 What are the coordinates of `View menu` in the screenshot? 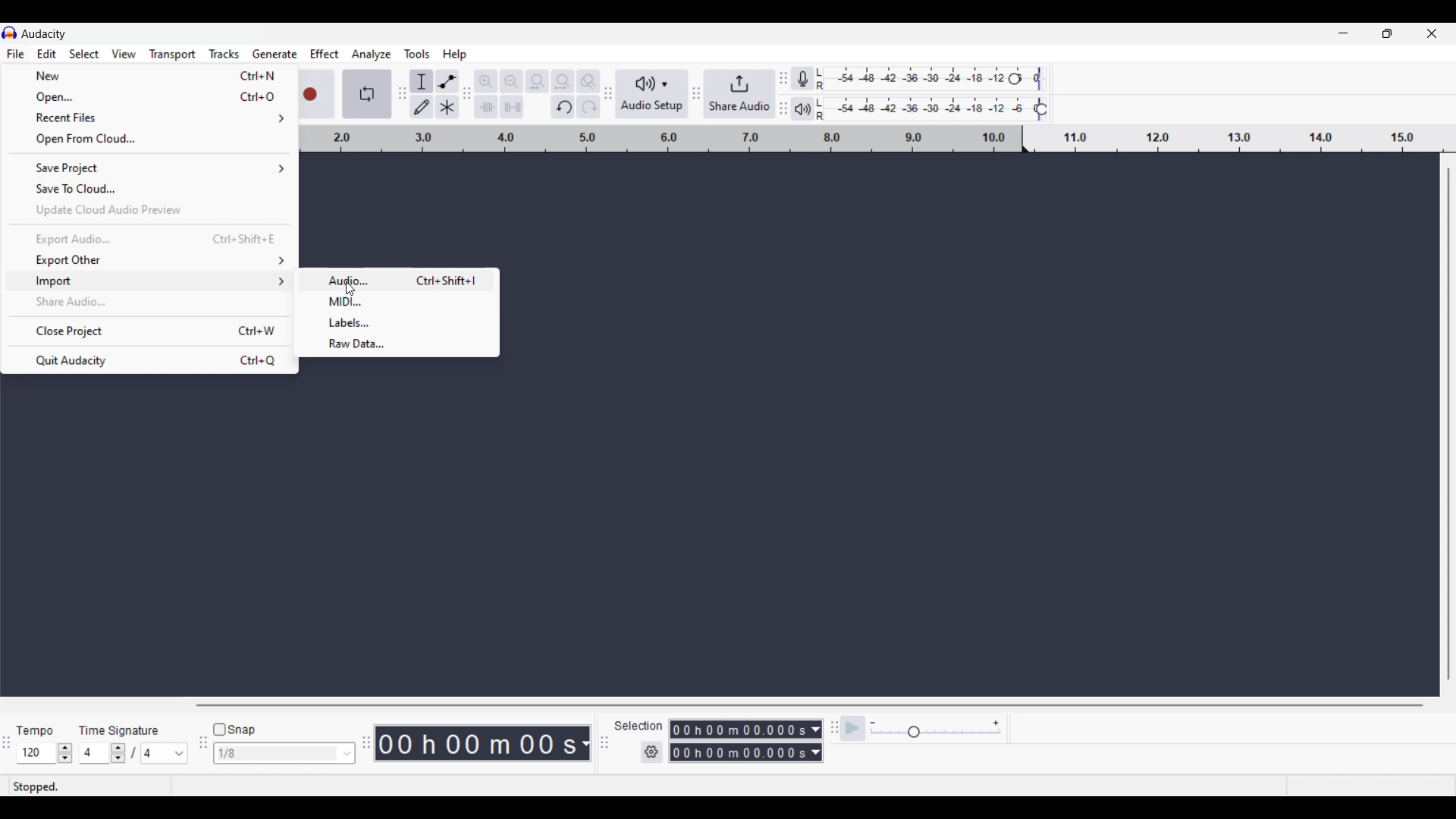 It's located at (124, 53).